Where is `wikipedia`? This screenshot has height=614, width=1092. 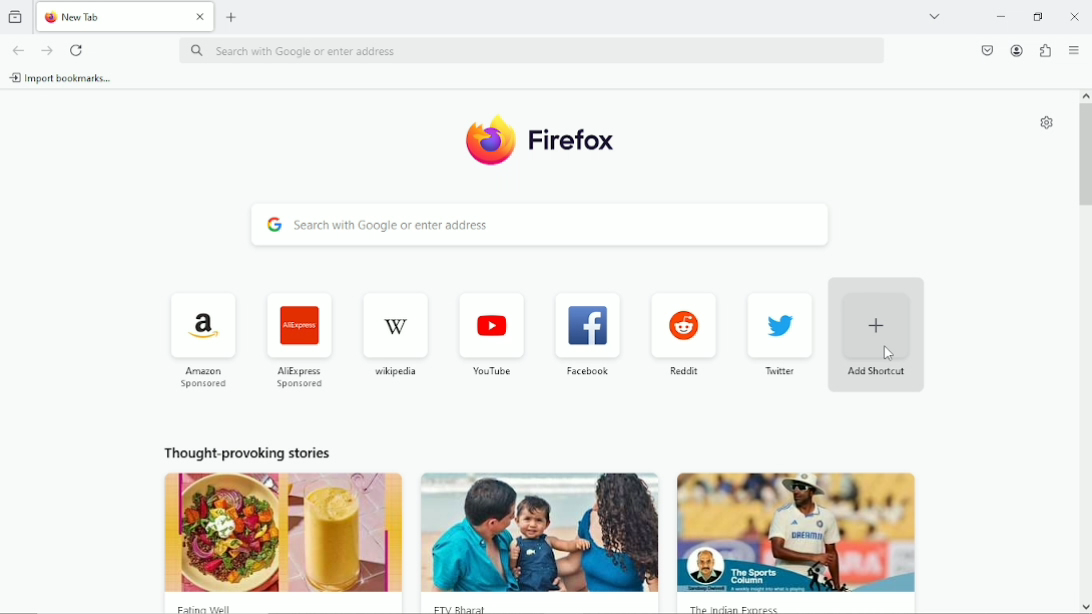
wikipedia is located at coordinates (394, 334).